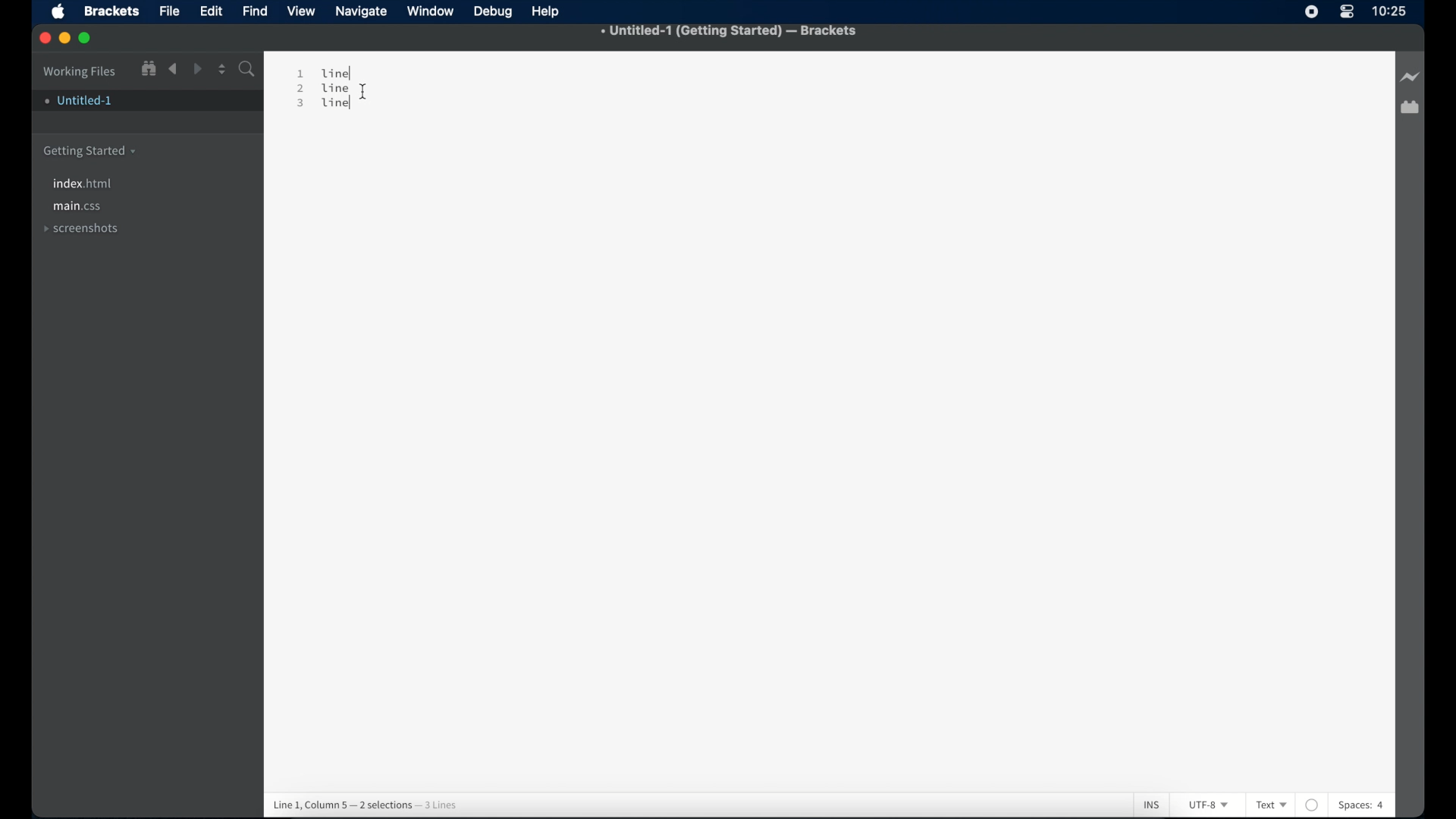 The width and height of the screenshot is (1456, 819). Describe the element at coordinates (66, 39) in the screenshot. I see `minimize` at that location.